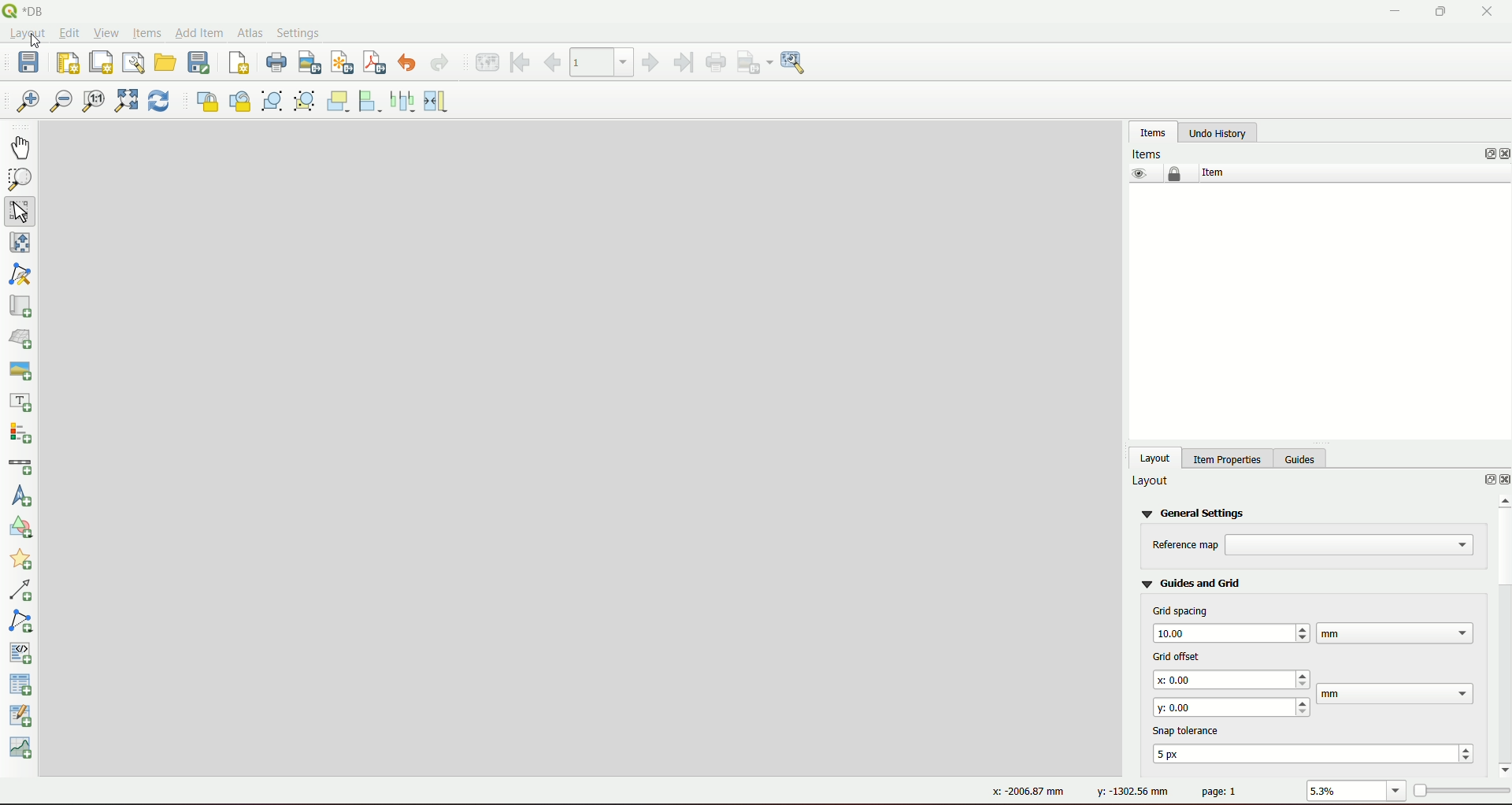  What do you see at coordinates (1196, 512) in the screenshot?
I see `general settings` at bounding box center [1196, 512].